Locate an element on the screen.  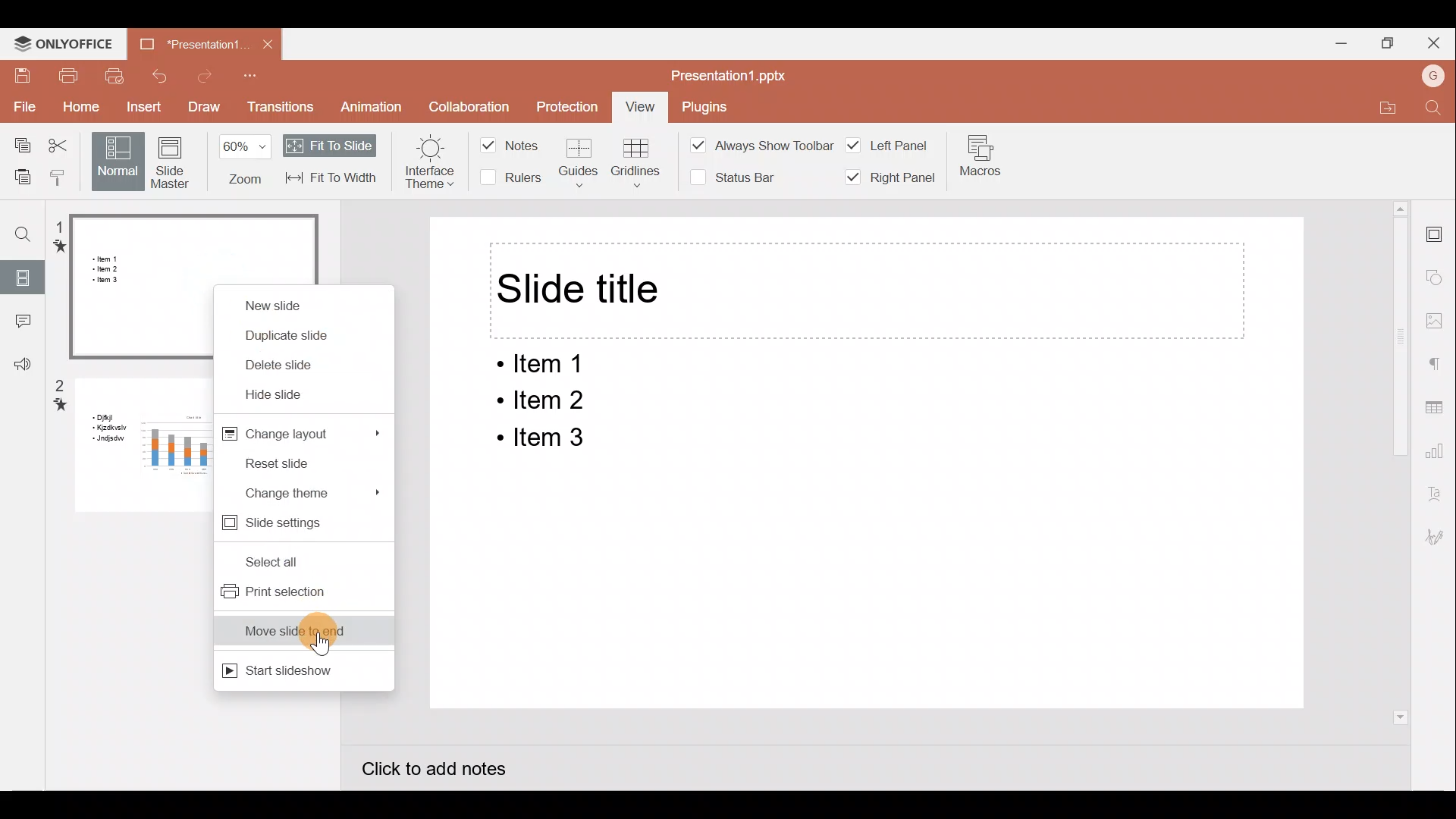
Slide settings is located at coordinates (296, 525).